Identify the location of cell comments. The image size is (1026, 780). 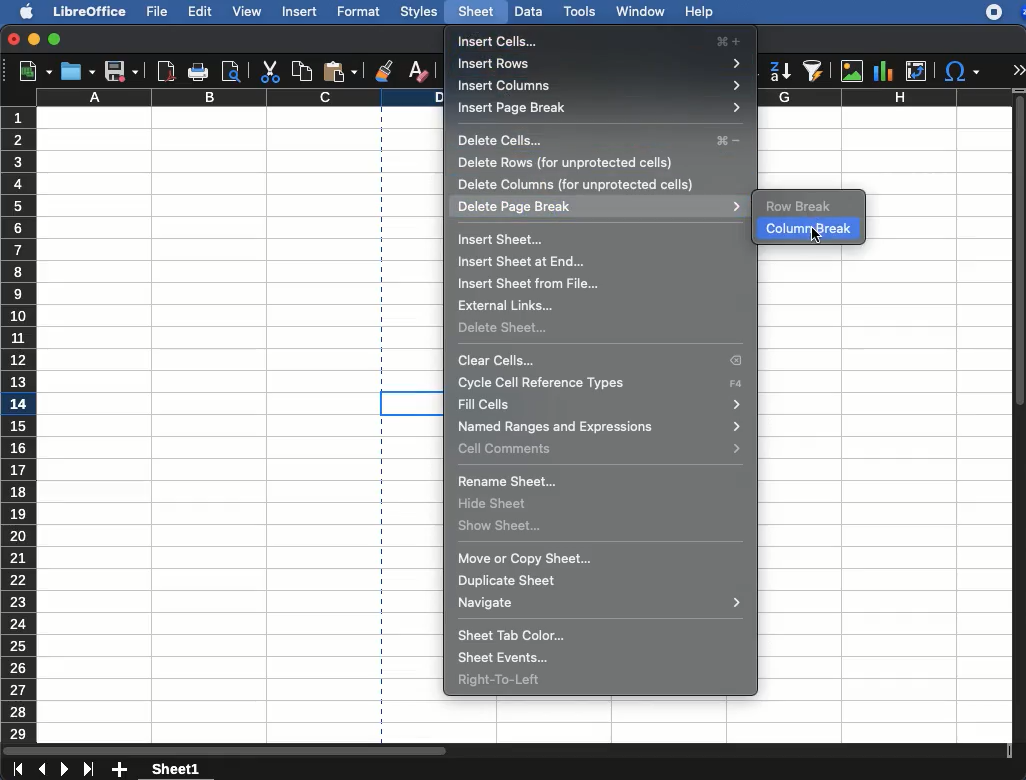
(603, 448).